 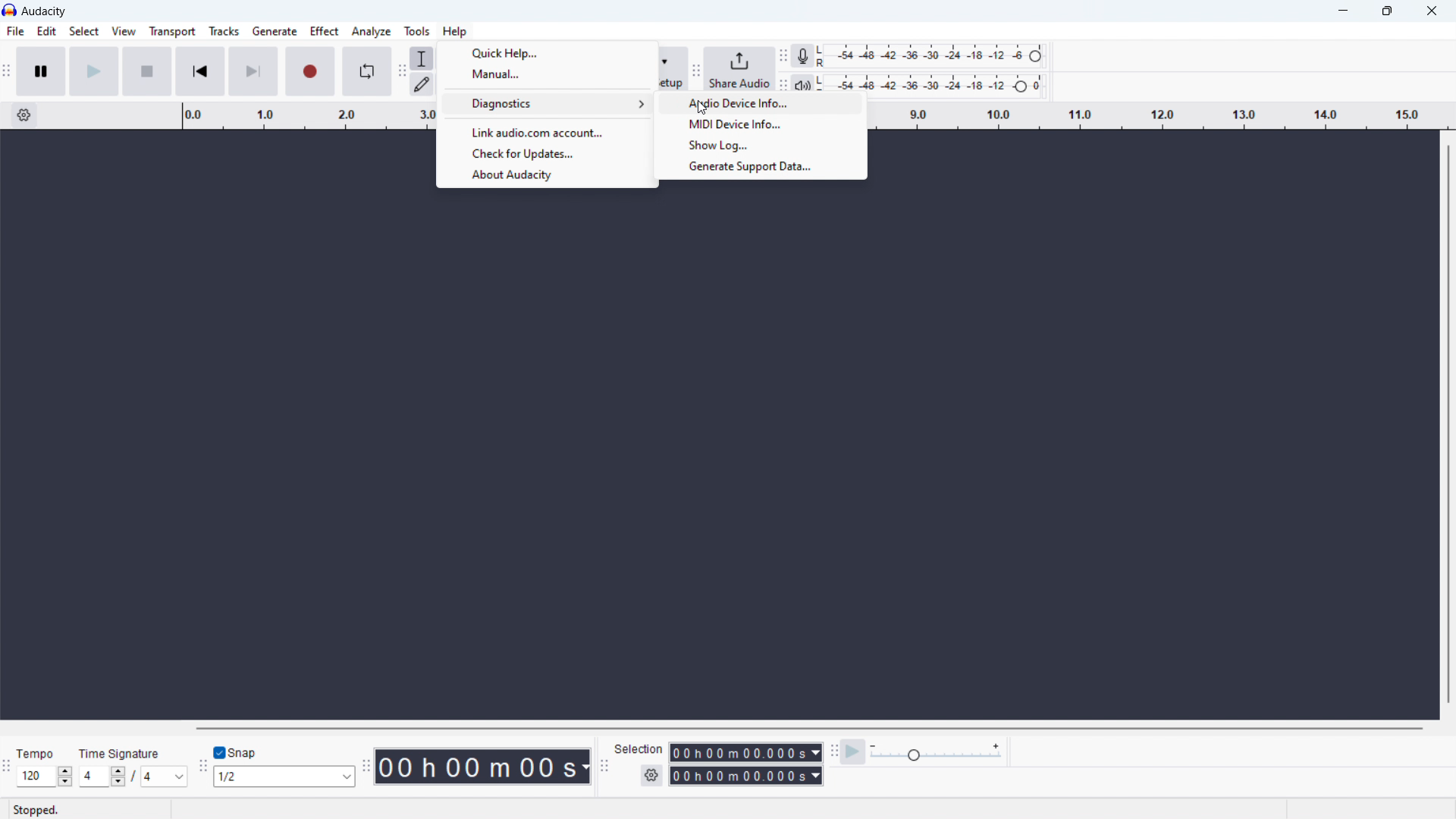 What do you see at coordinates (201, 765) in the screenshot?
I see `snapping toolbar` at bounding box center [201, 765].